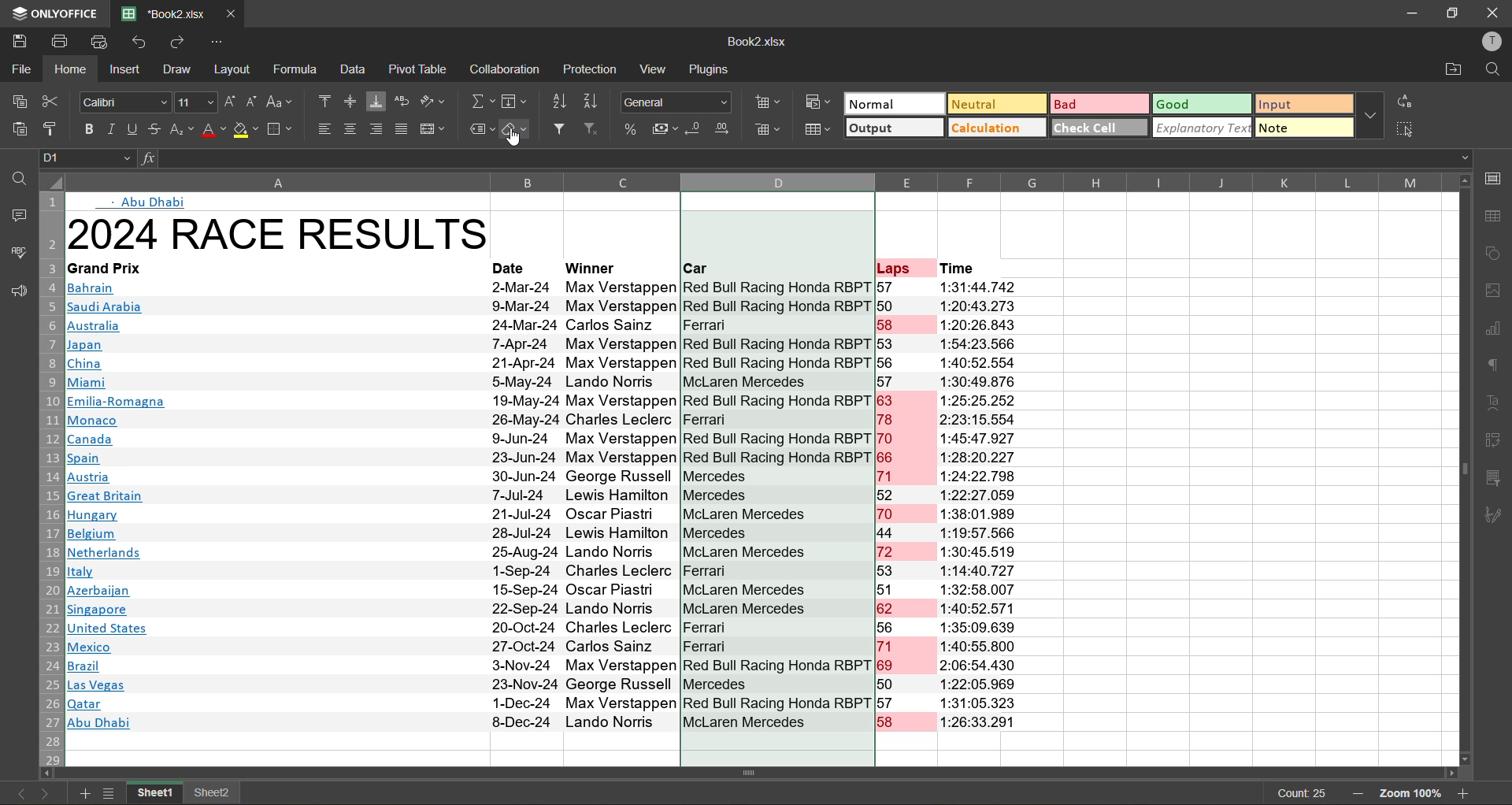 The image size is (1512, 805). What do you see at coordinates (15, 292) in the screenshot?
I see `feedback` at bounding box center [15, 292].